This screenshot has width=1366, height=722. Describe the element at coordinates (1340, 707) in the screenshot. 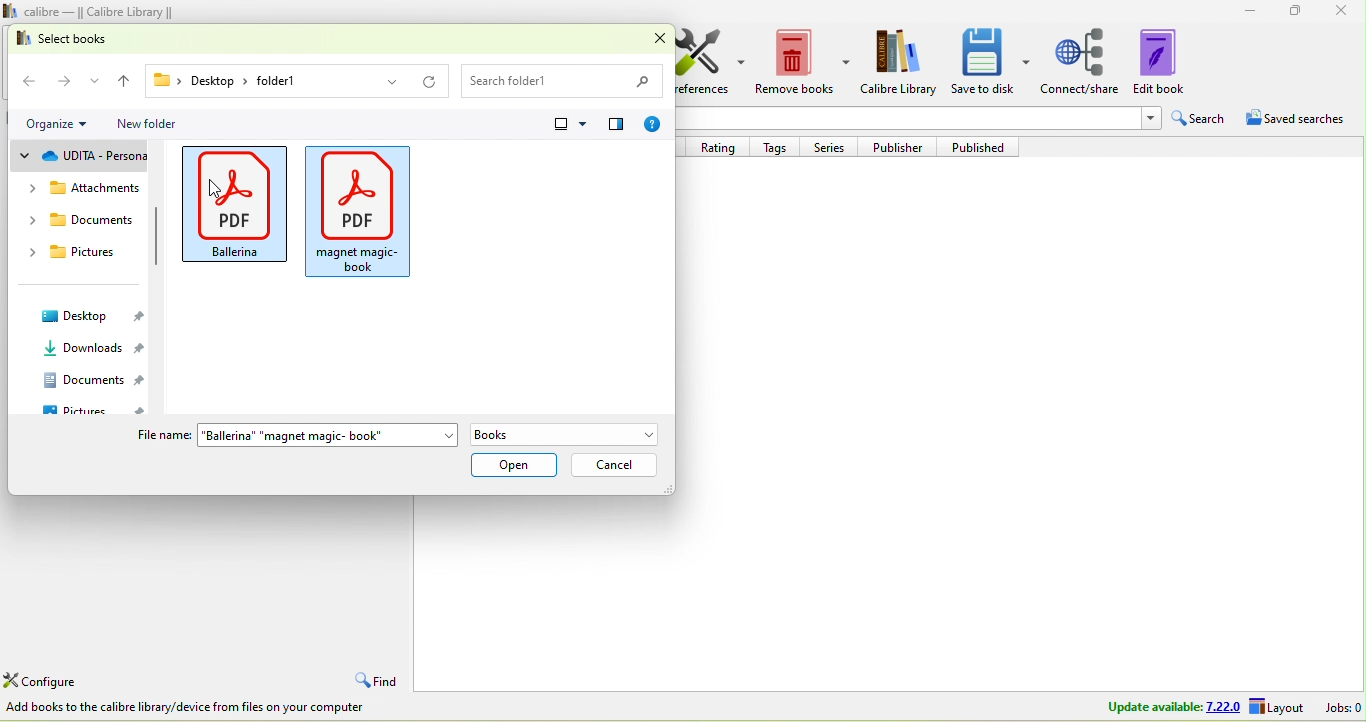

I see `jobs 0` at that location.